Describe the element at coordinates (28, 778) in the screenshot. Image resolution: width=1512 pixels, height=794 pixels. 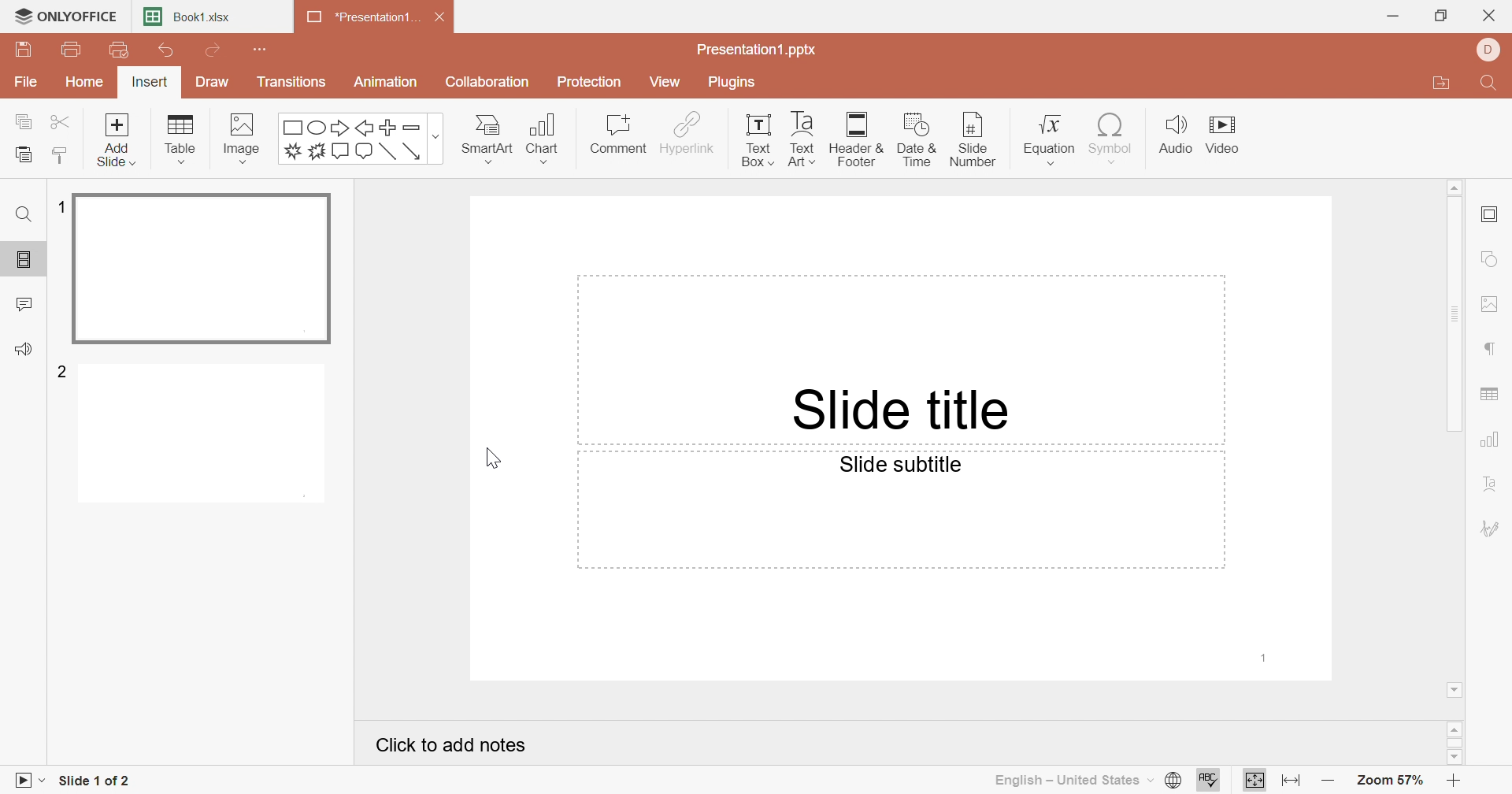
I see `Start Slideshow` at that location.